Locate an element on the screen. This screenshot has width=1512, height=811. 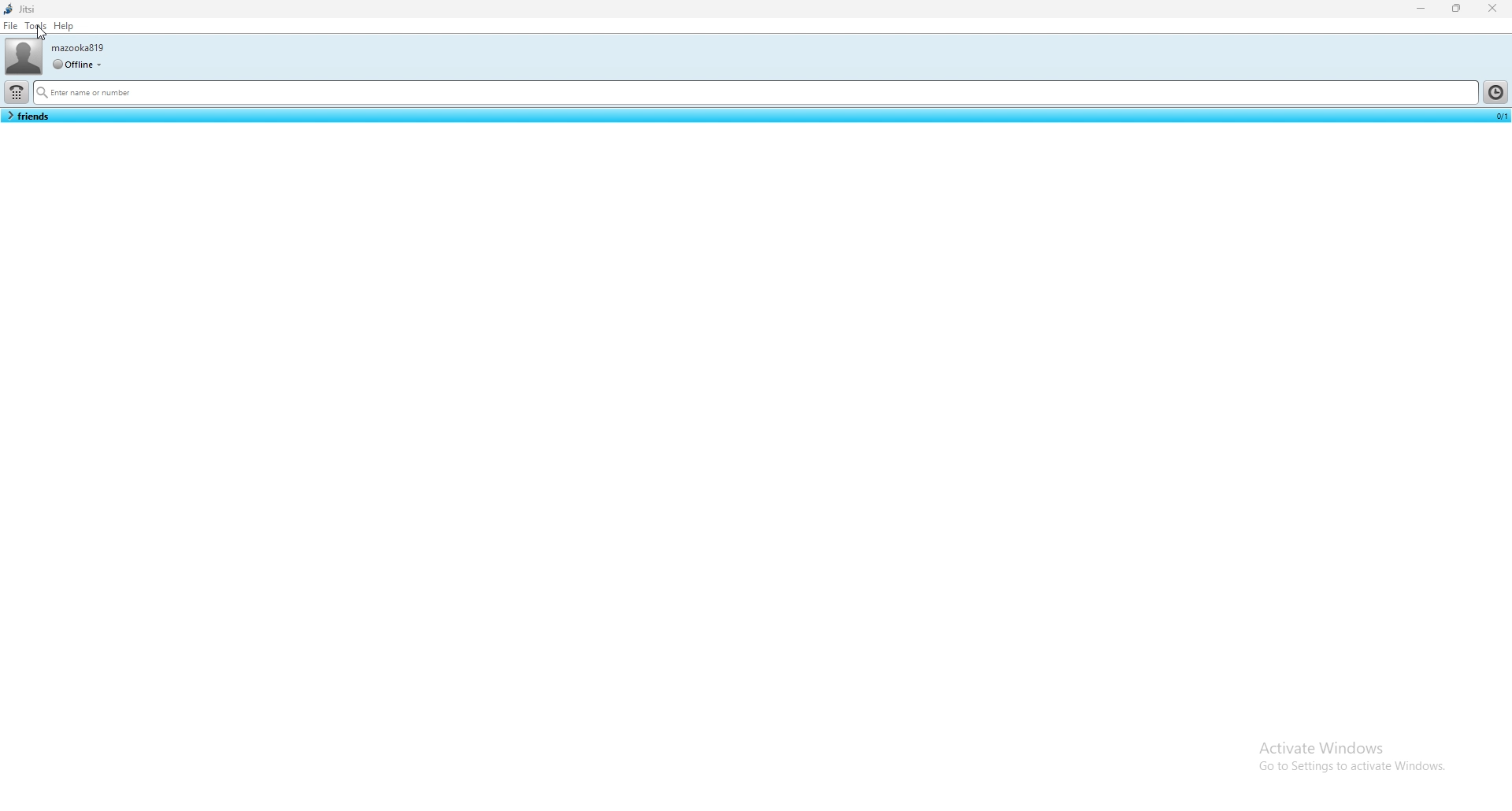
resize is located at coordinates (1458, 9).